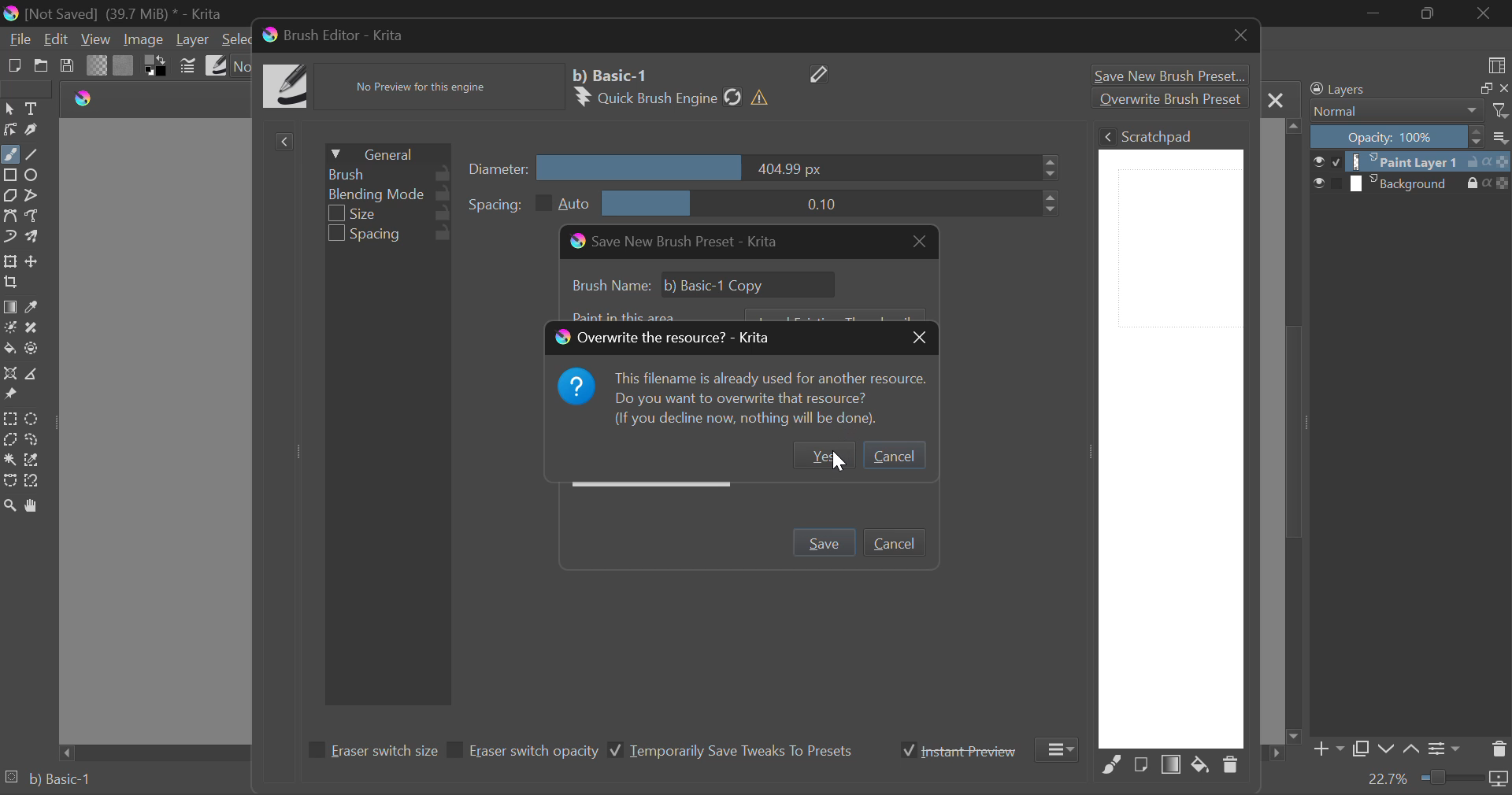 This screenshot has height=795, width=1512. Describe the element at coordinates (33, 482) in the screenshot. I see `Magnetic Selection` at that location.